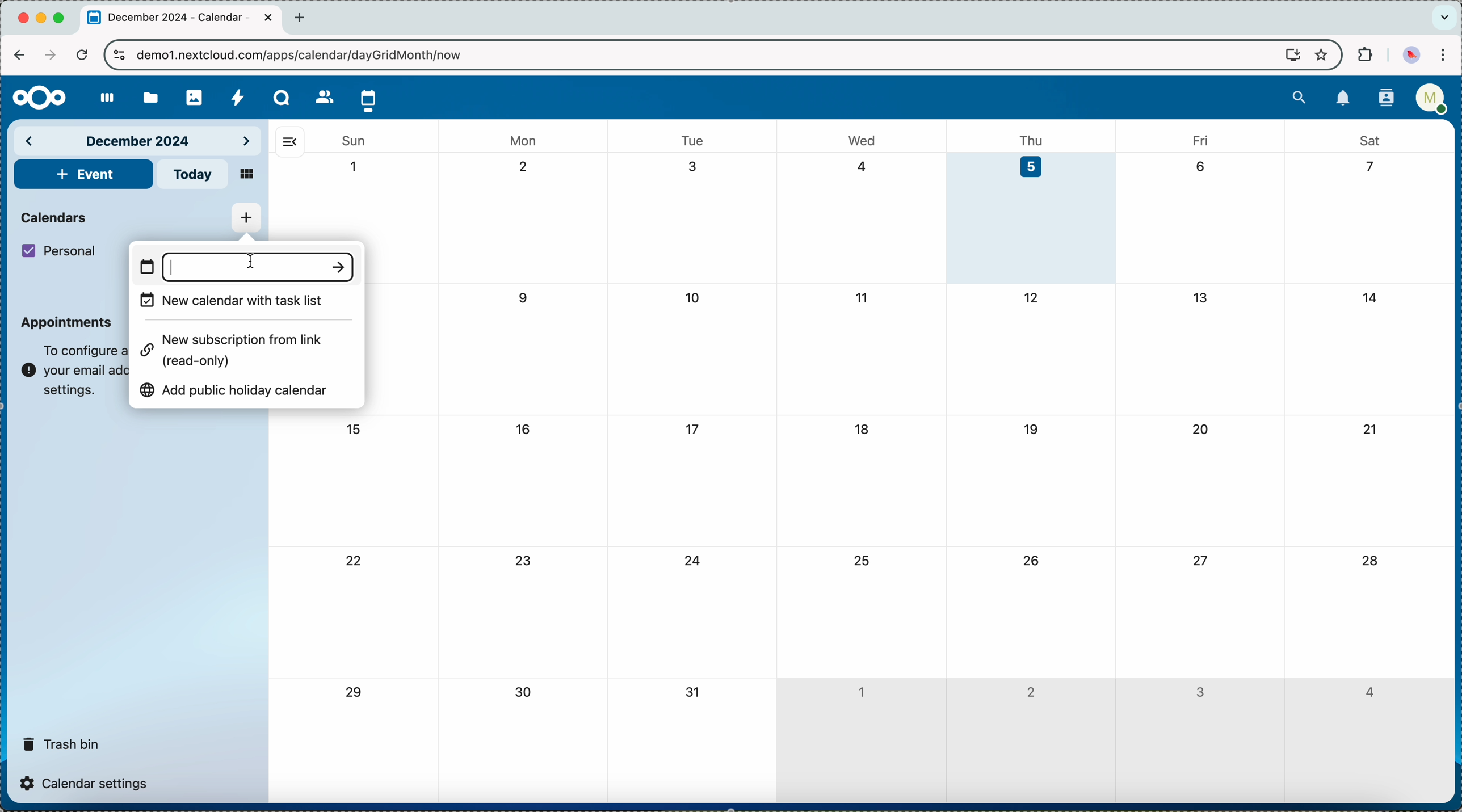  Describe the element at coordinates (1411, 54) in the screenshot. I see `profile picture` at that location.